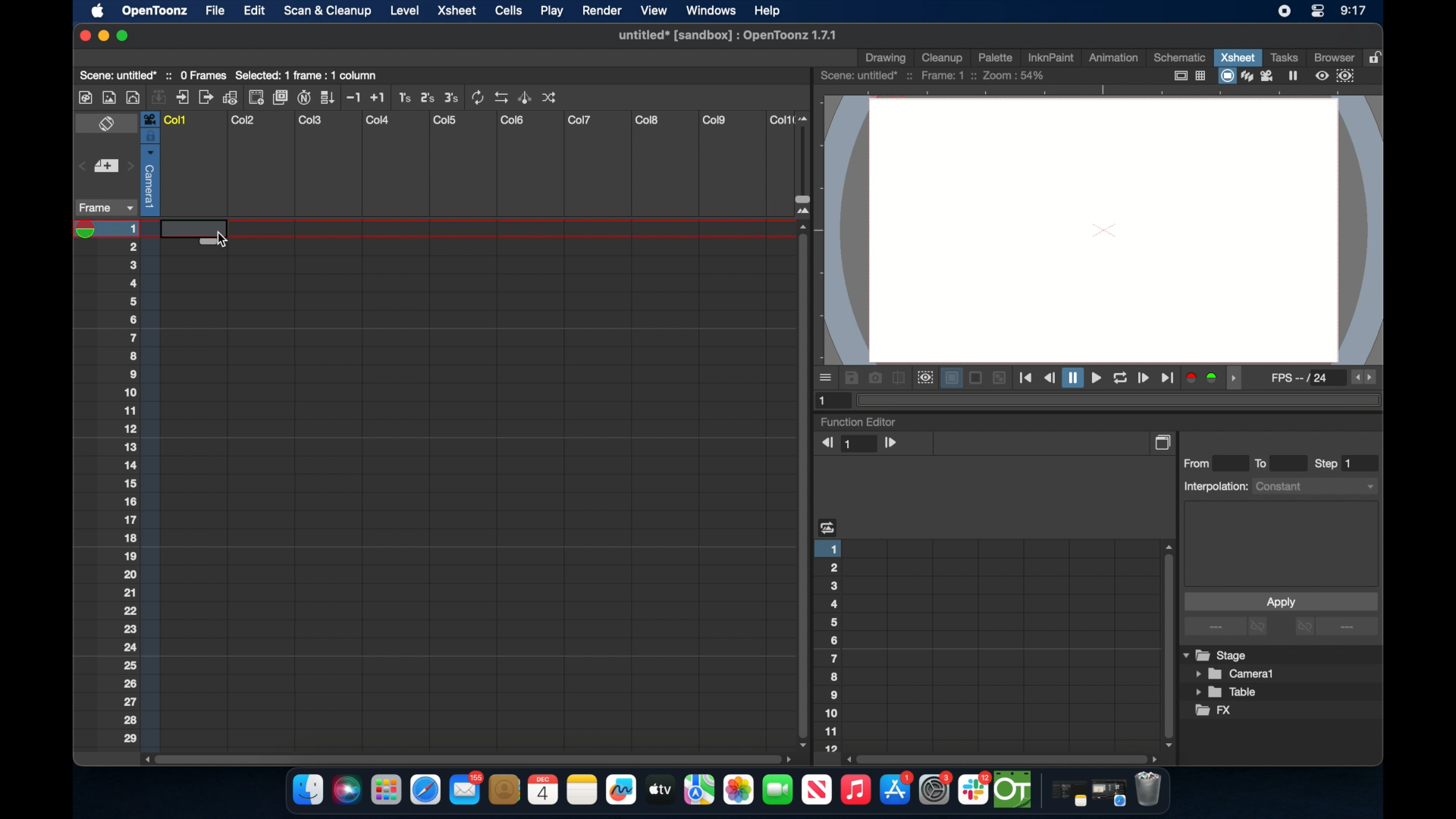 This screenshot has width=1456, height=819. What do you see at coordinates (855, 790) in the screenshot?
I see `music` at bounding box center [855, 790].